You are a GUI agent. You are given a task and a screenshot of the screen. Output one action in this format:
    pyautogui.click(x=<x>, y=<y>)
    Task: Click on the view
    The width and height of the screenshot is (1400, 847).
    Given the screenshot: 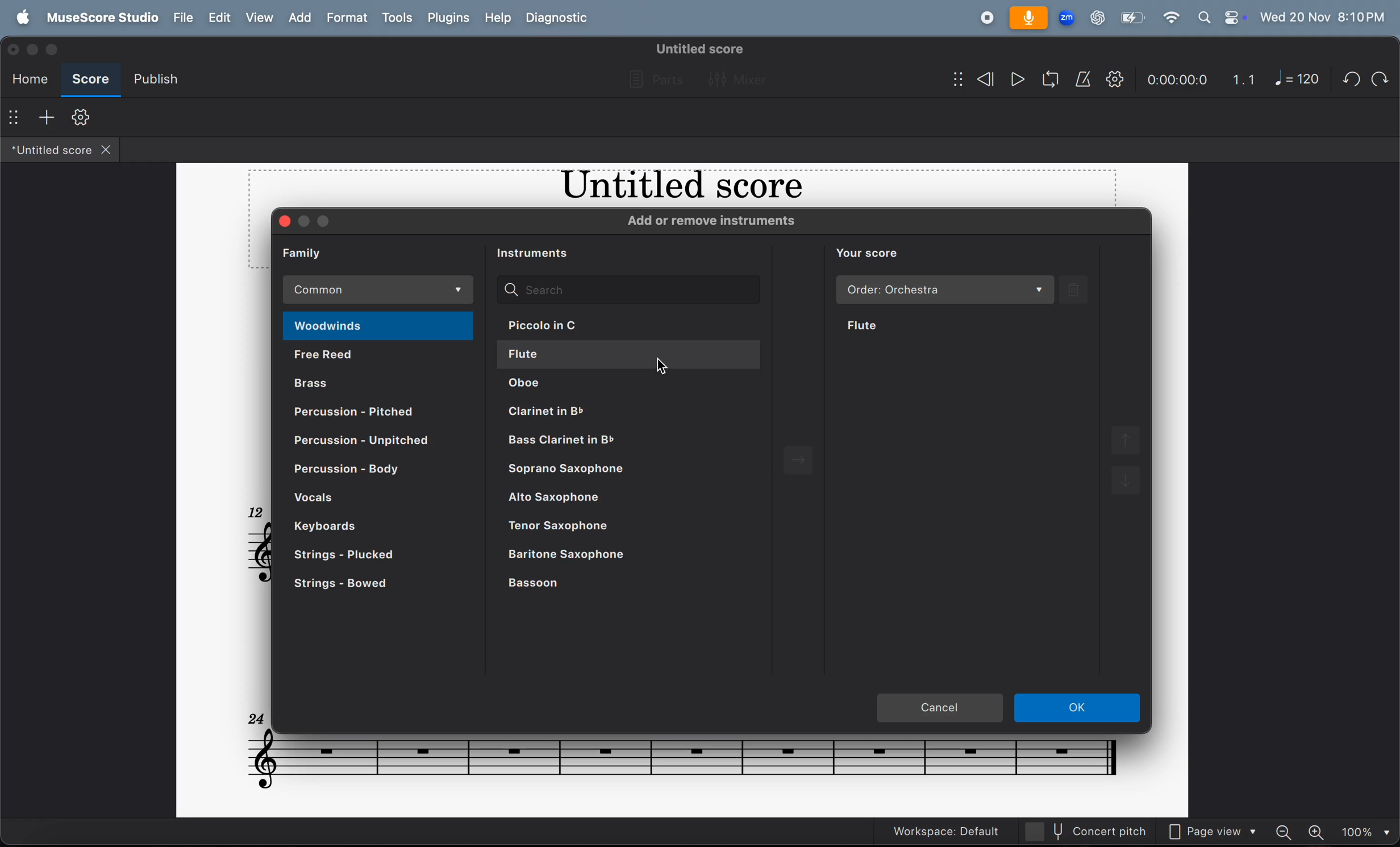 What is the action you would take?
    pyautogui.click(x=259, y=18)
    